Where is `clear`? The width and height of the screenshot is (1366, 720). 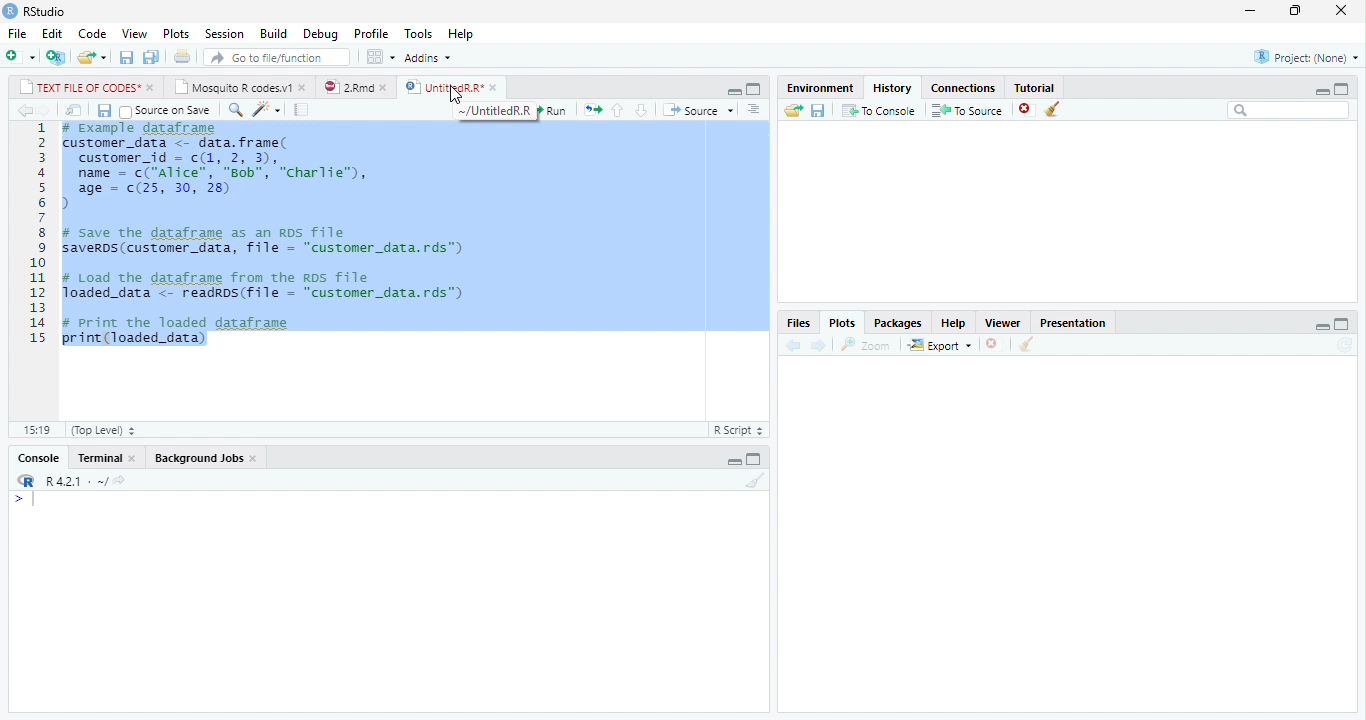 clear is located at coordinates (1053, 109).